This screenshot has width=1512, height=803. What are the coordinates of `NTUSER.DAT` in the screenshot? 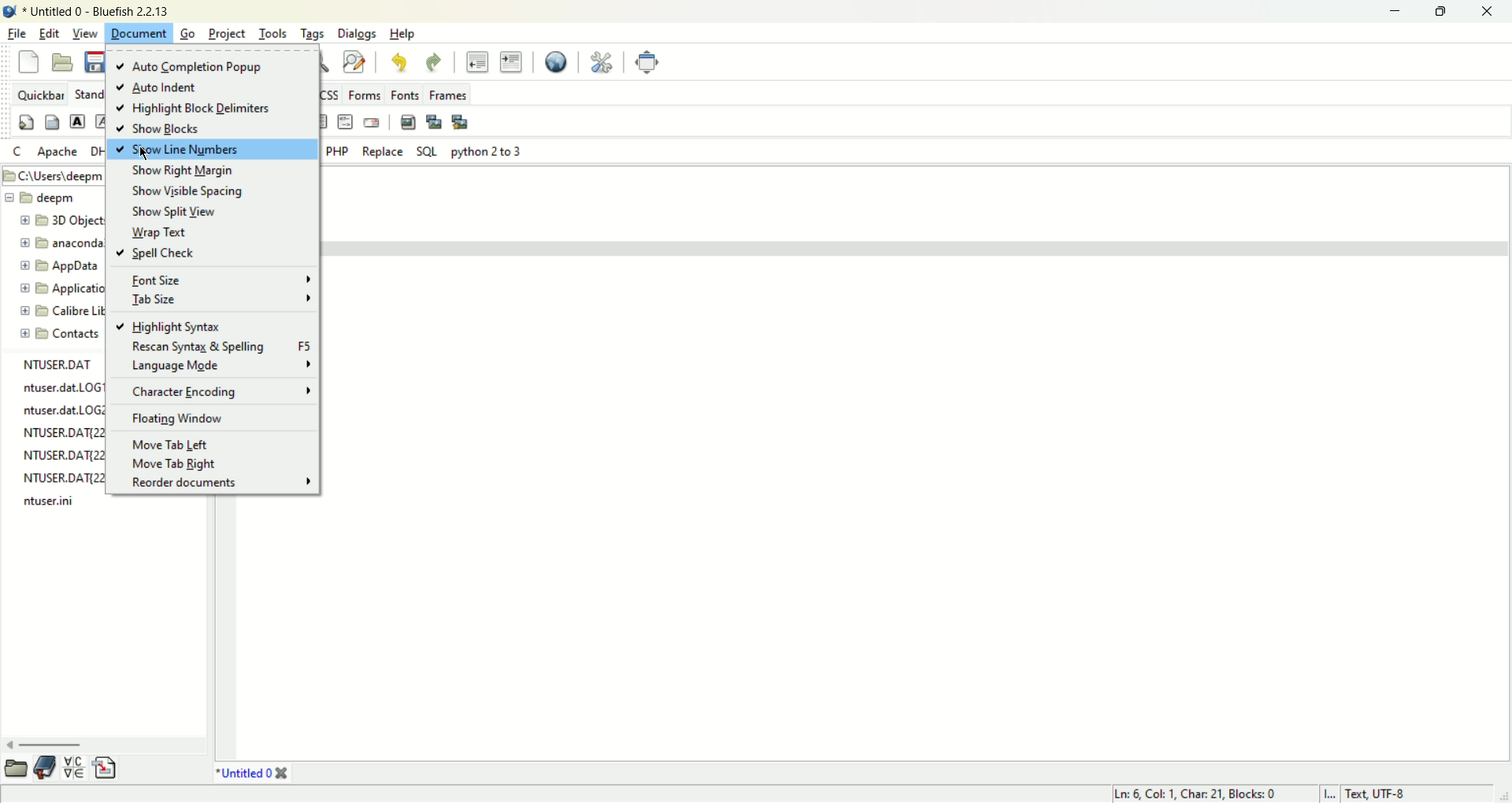 It's located at (57, 364).